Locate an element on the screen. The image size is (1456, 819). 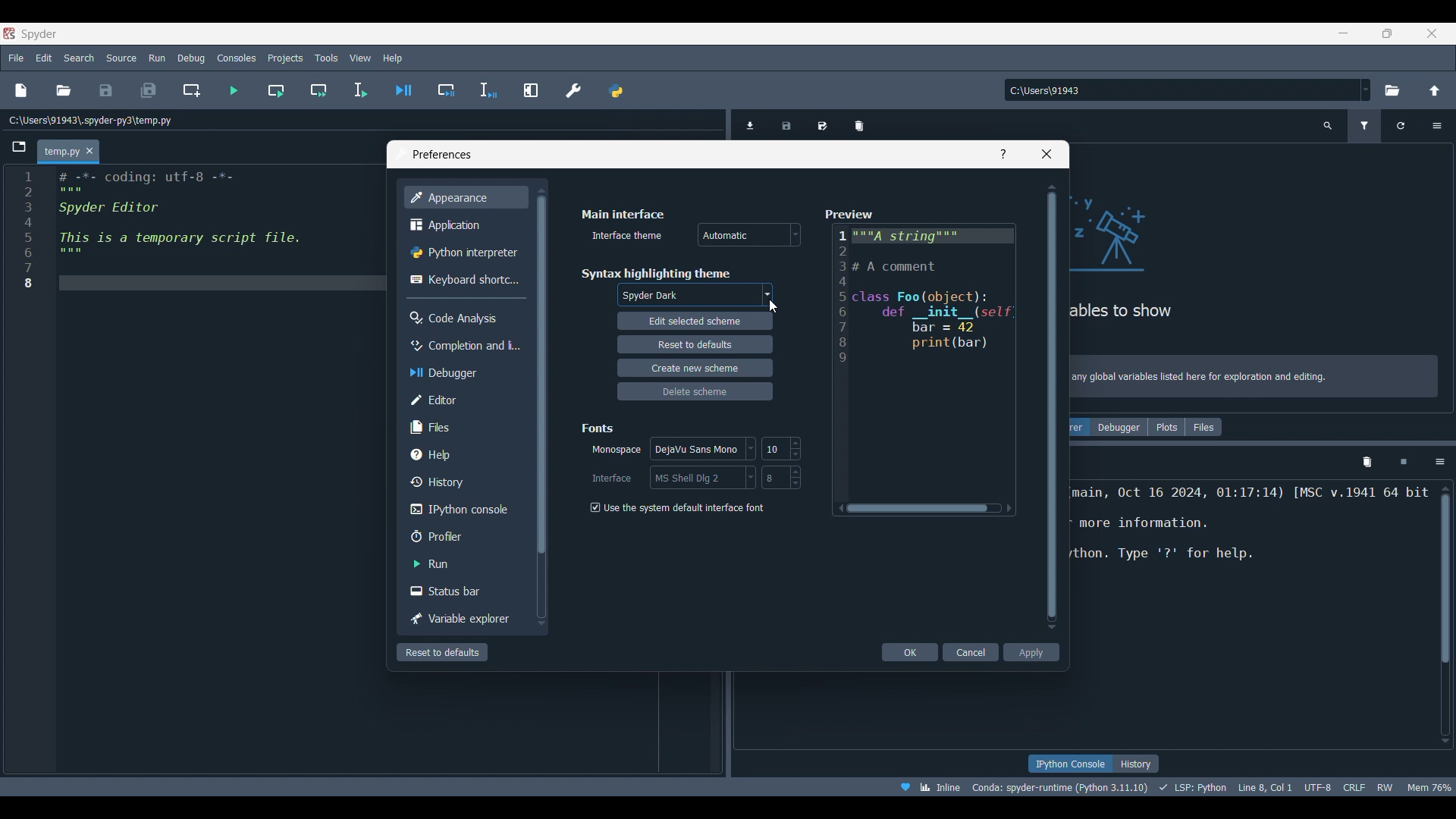
Variable explorer is located at coordinates (464, 619).